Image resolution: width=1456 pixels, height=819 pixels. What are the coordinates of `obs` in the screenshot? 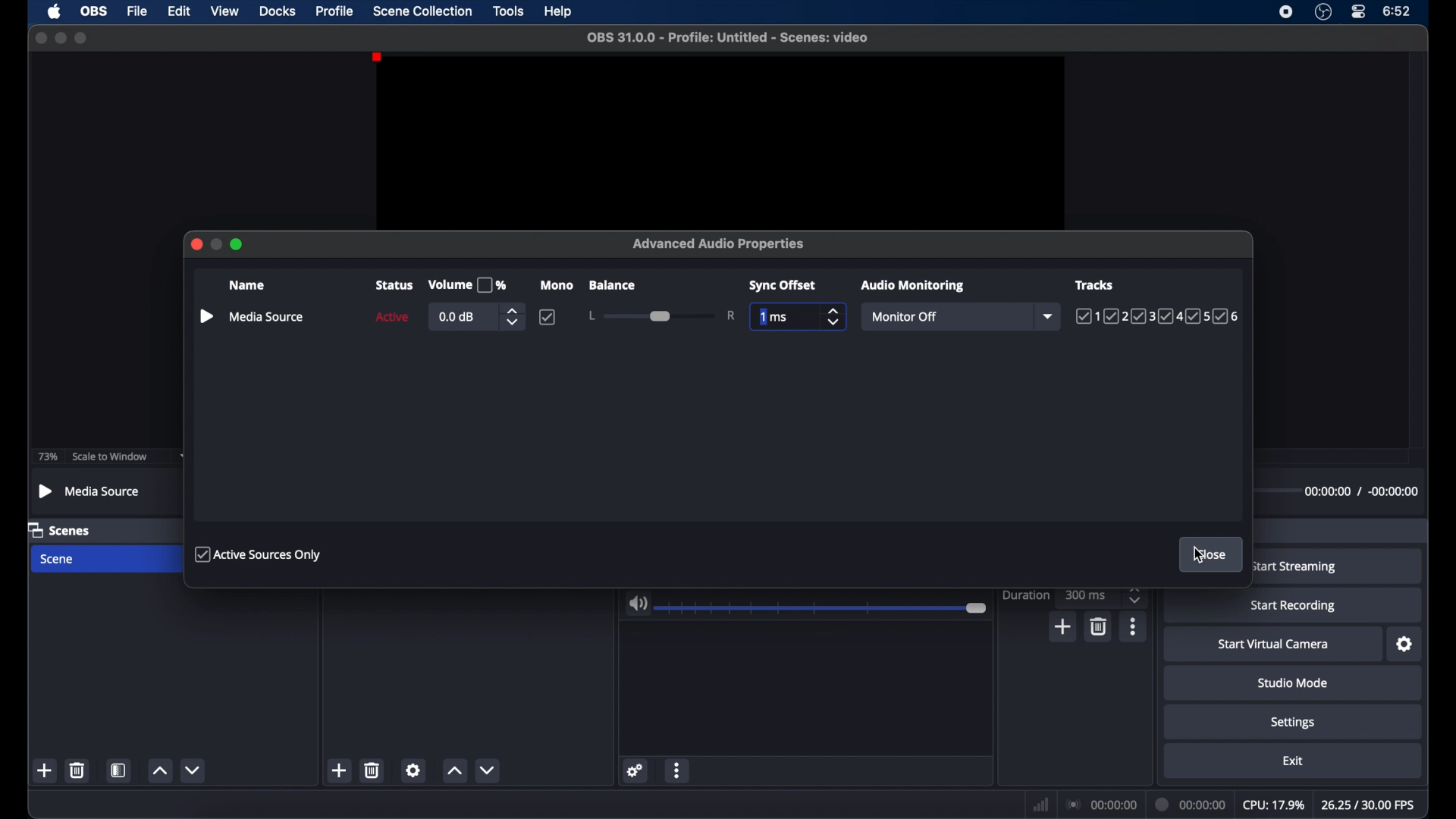 It's located at (94, 11).